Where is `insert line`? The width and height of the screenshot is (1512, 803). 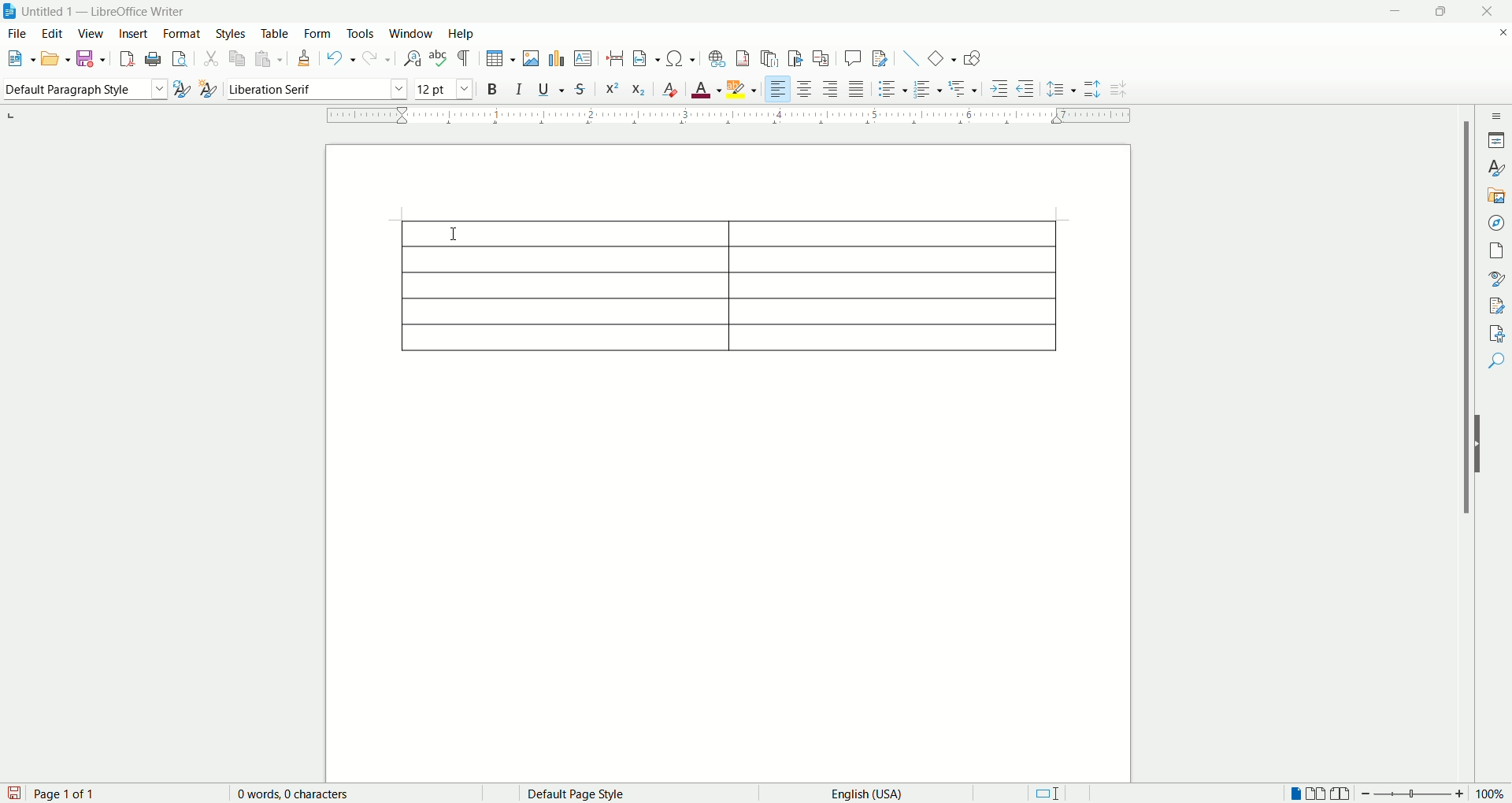 insert line is located at coordinates (911, 57).